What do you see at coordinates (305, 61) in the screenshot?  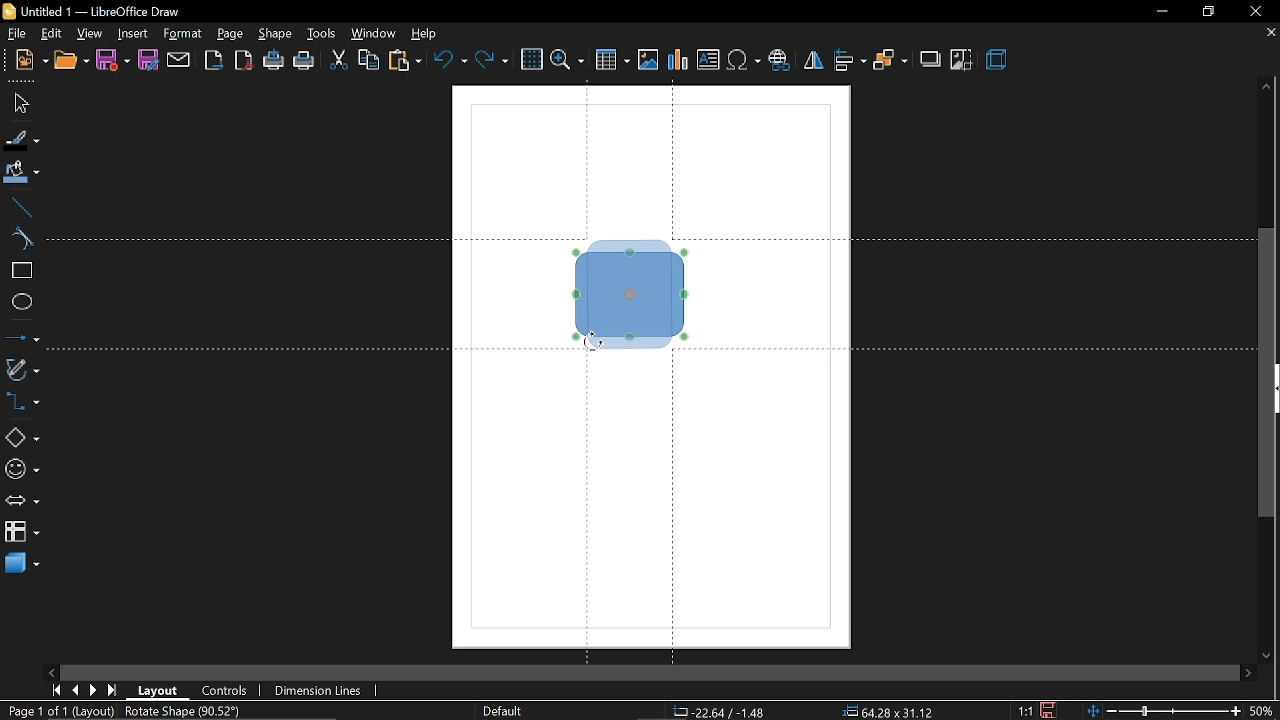 I see `print` at bounding box center [305, 61].